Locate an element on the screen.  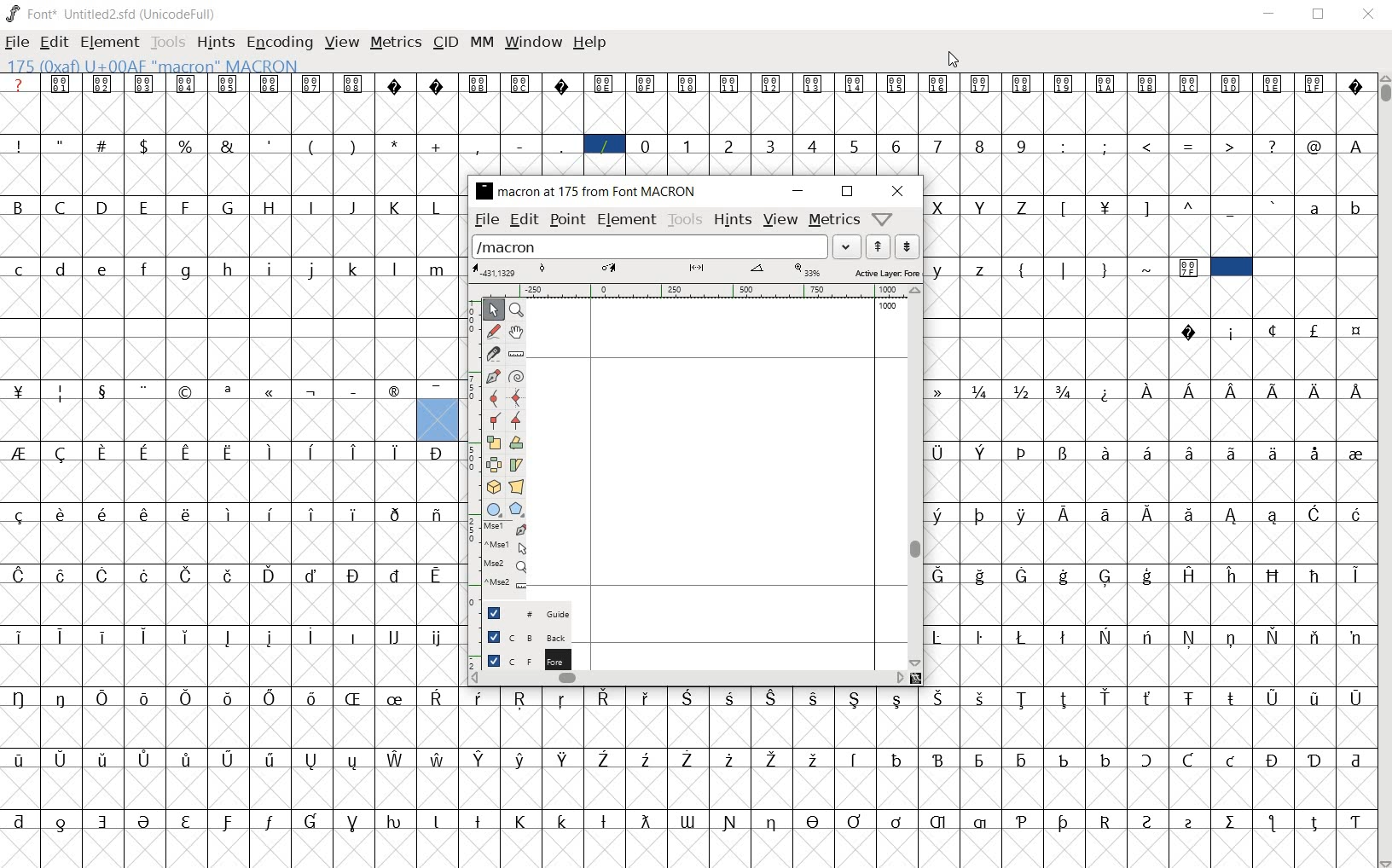
Symbol is located at coordinates (1272, 84).